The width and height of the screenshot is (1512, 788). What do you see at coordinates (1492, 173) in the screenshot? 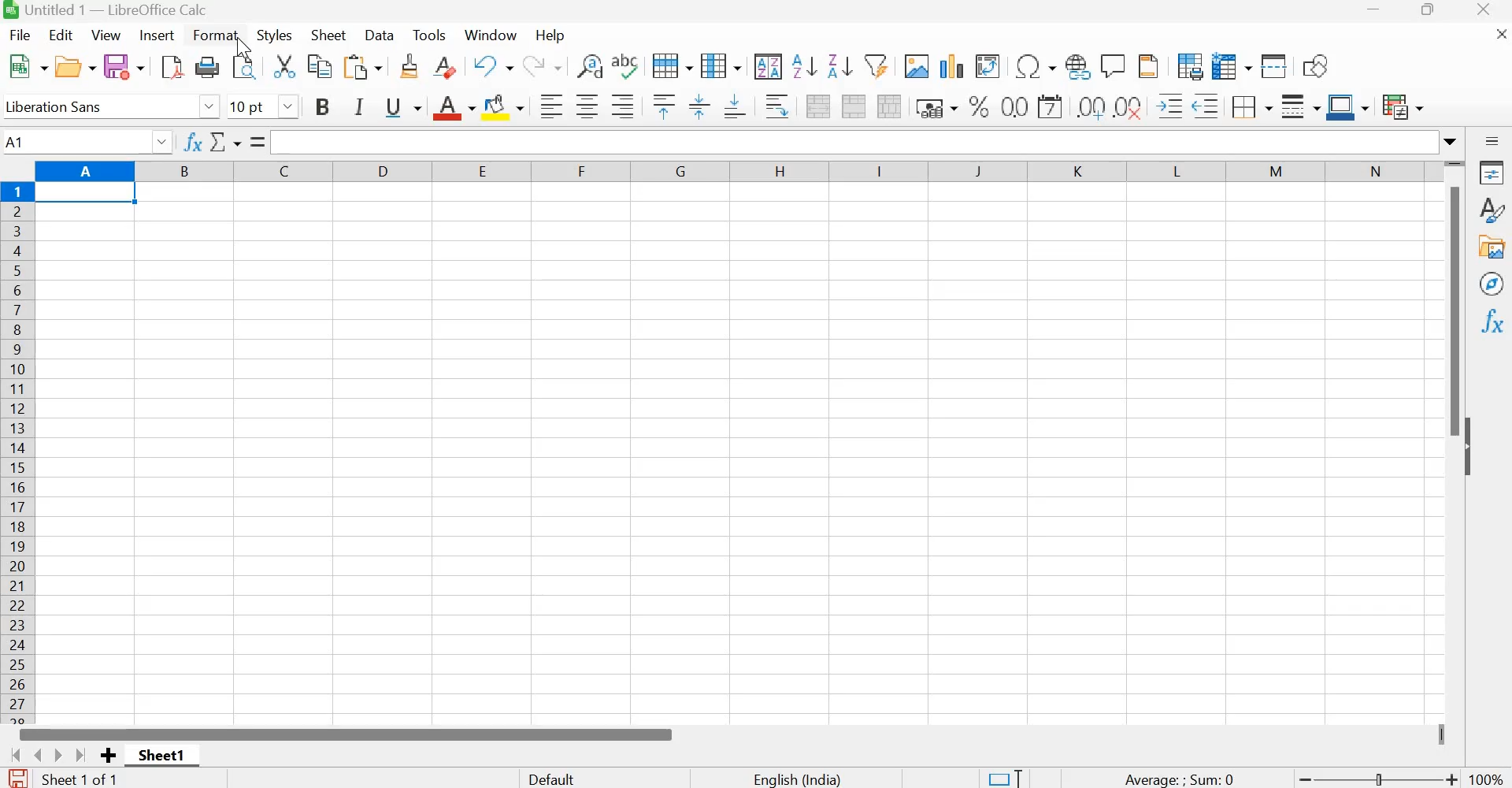
I see `Properties` at bounding box center [1492, 173].